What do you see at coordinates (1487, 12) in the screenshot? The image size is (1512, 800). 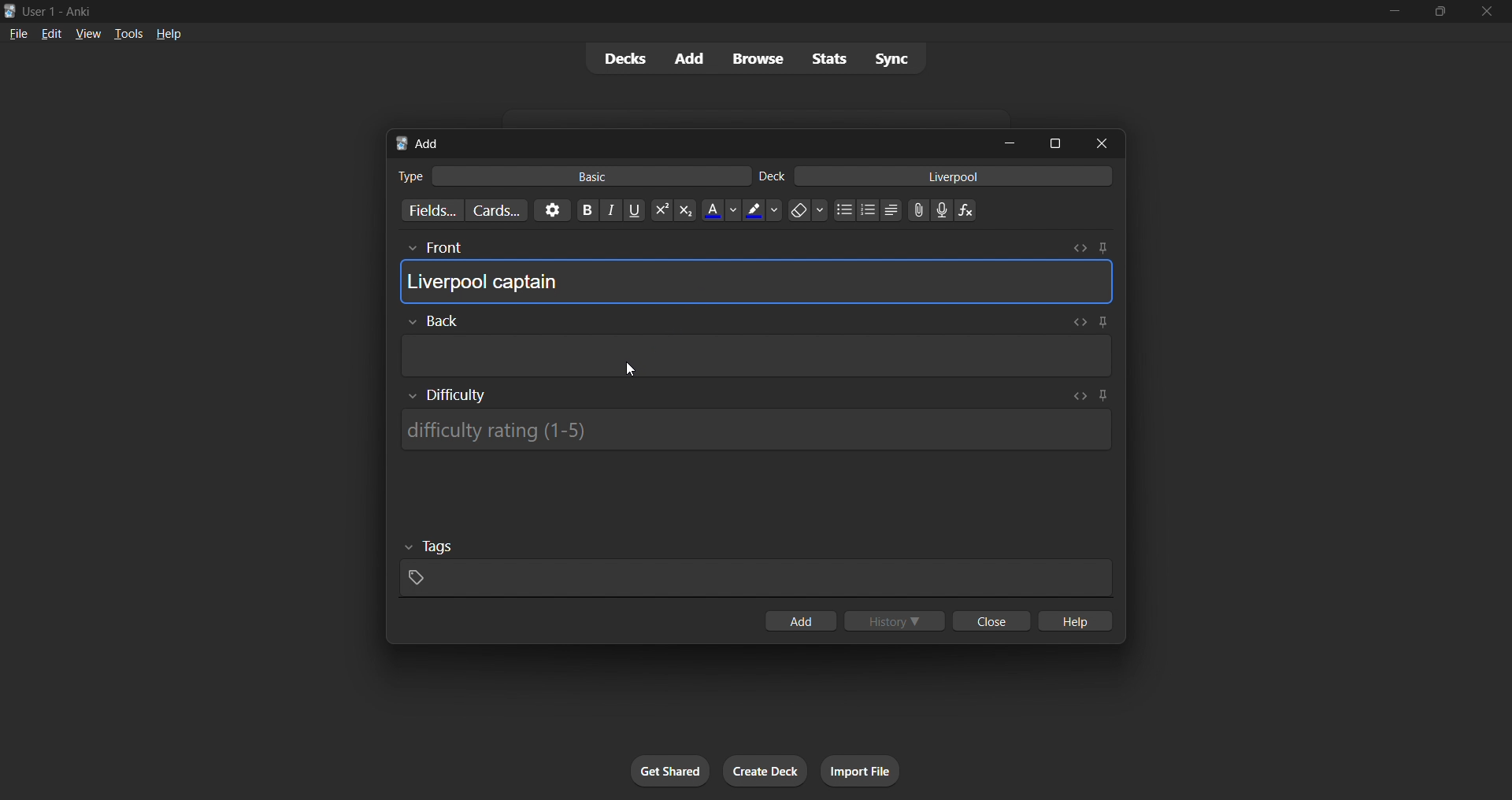 I see `close` at bounding box center [1487, 12].